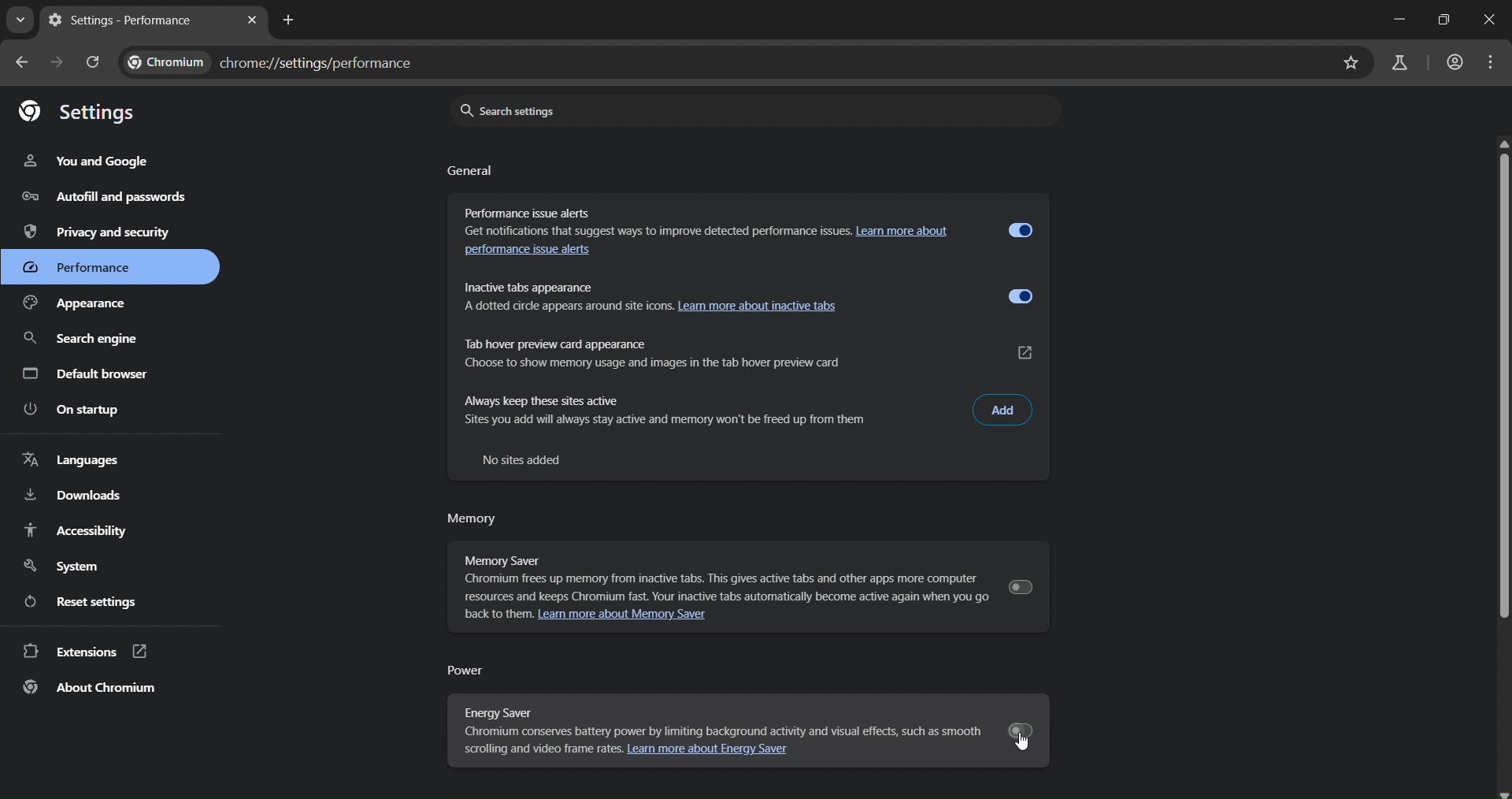 The width and height of the screenshot is (1512, 799). I want to click on cursor, so click(1025, 744).